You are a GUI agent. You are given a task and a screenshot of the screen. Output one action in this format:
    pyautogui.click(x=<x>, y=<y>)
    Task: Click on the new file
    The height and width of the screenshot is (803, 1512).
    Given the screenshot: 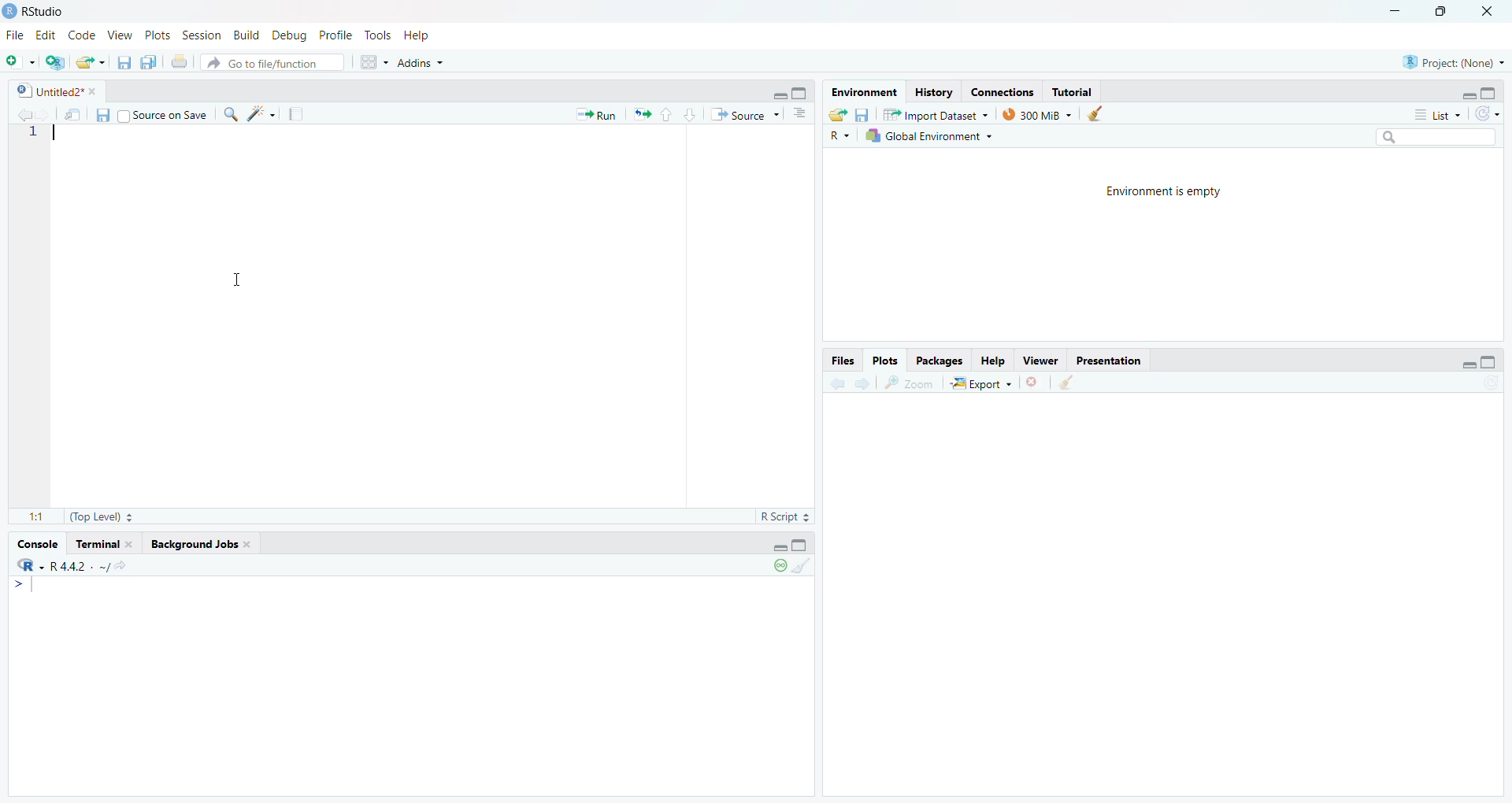 What is the action you would take?
    pyautogui.click(x=18, y=61)
    